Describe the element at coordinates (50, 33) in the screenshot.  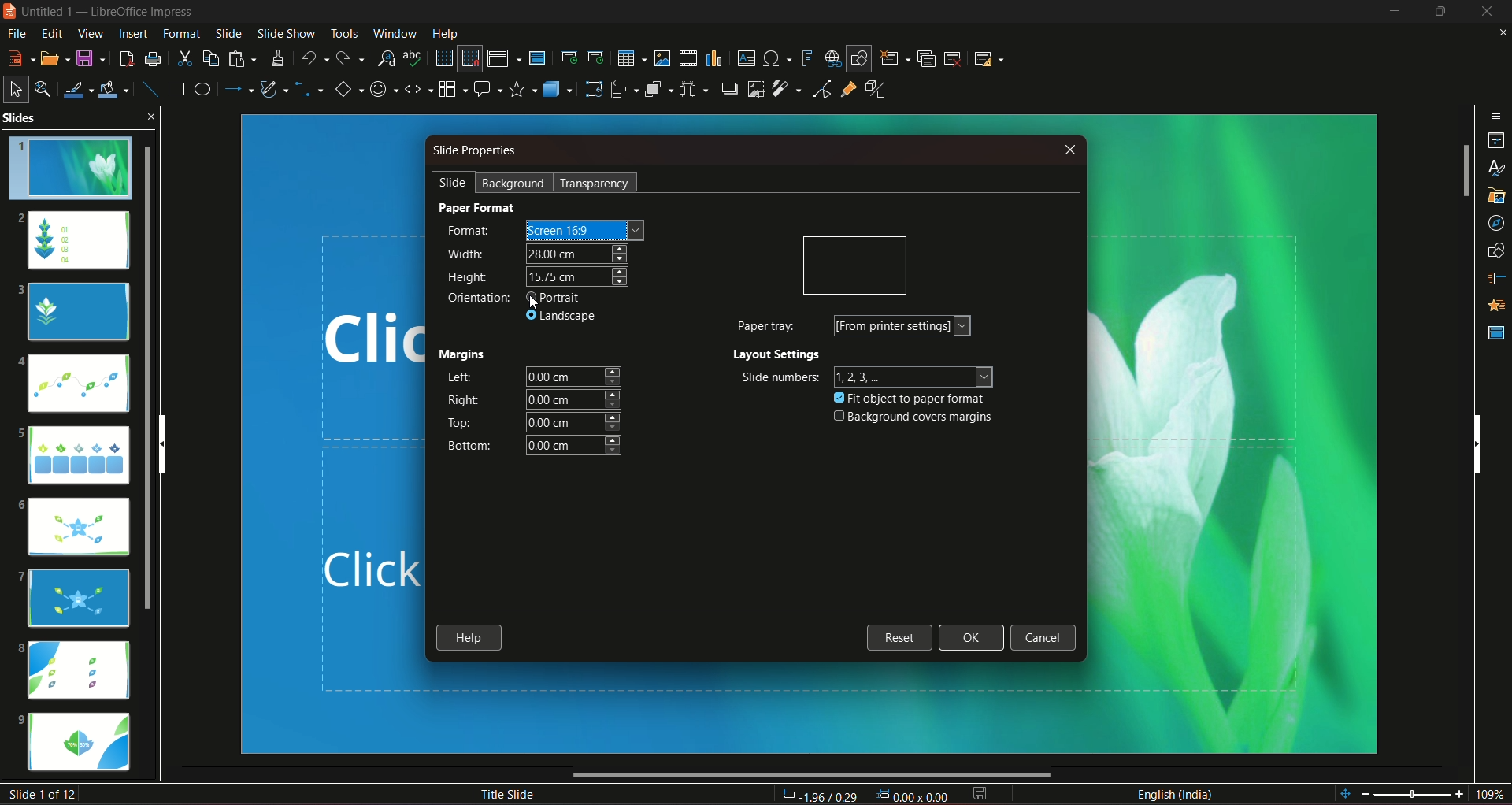
I see `edit` at that location.